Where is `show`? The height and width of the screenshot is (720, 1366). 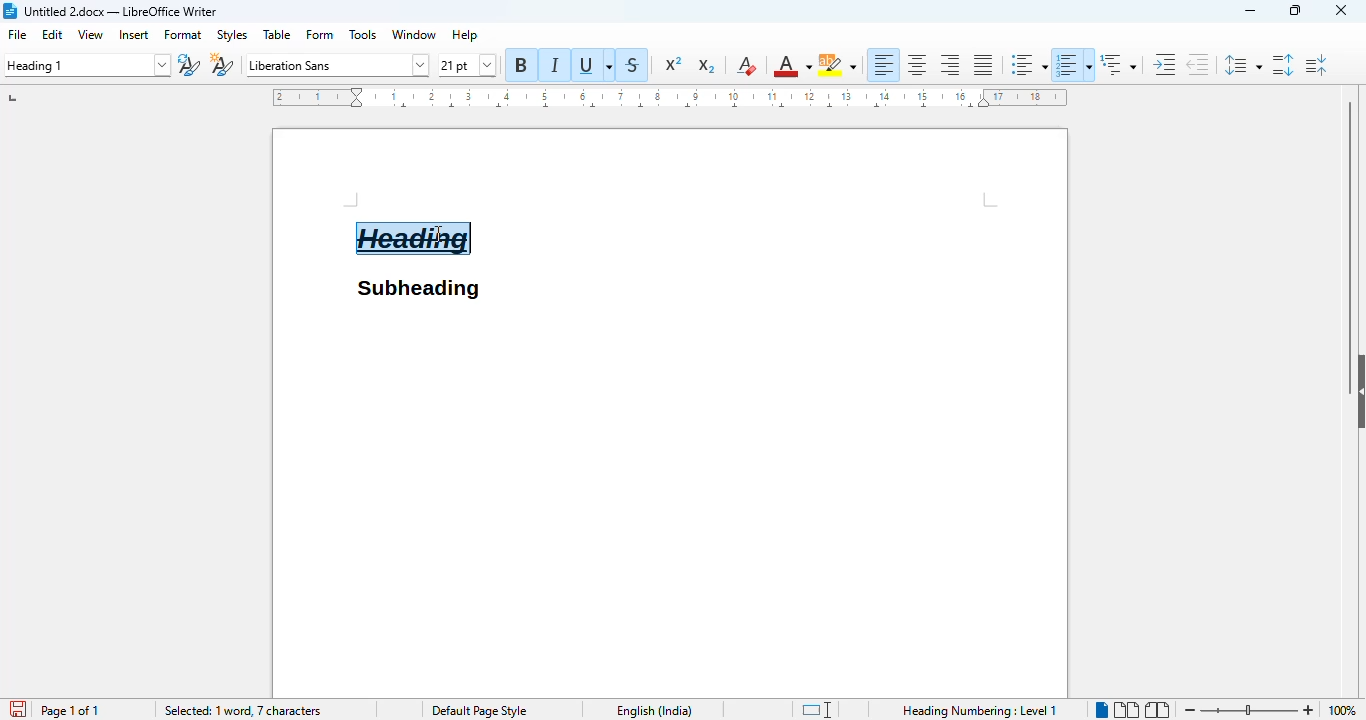
show is located at coordinates (1357, 391).